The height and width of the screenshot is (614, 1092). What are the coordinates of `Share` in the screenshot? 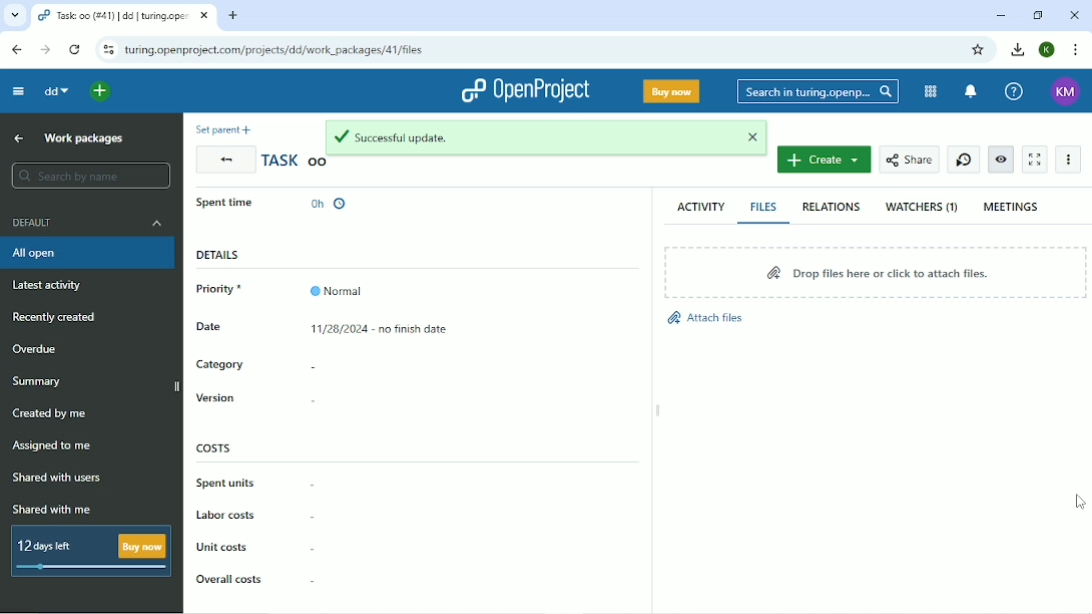 It's located at (909, 160).